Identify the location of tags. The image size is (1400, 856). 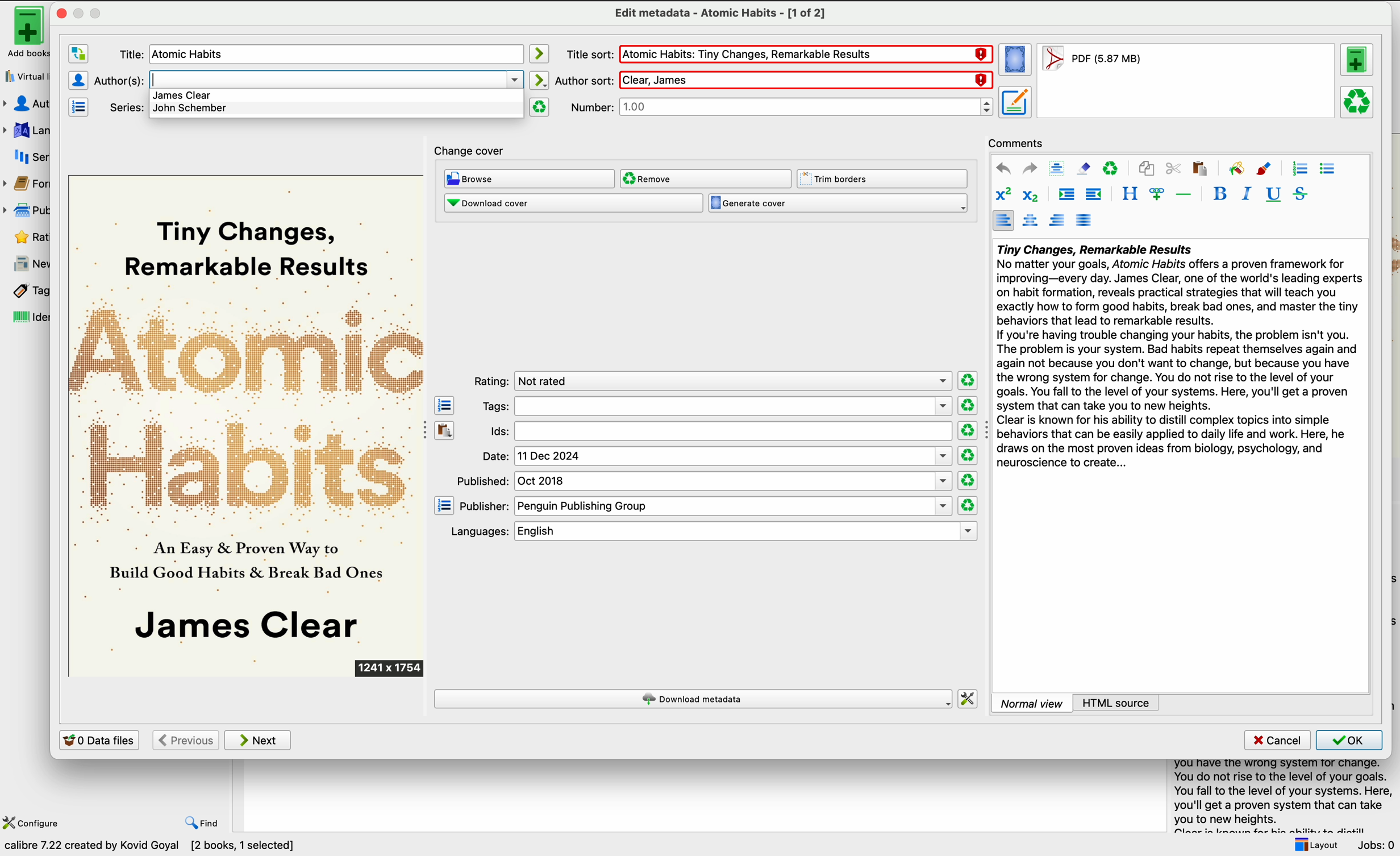
(24, 291).